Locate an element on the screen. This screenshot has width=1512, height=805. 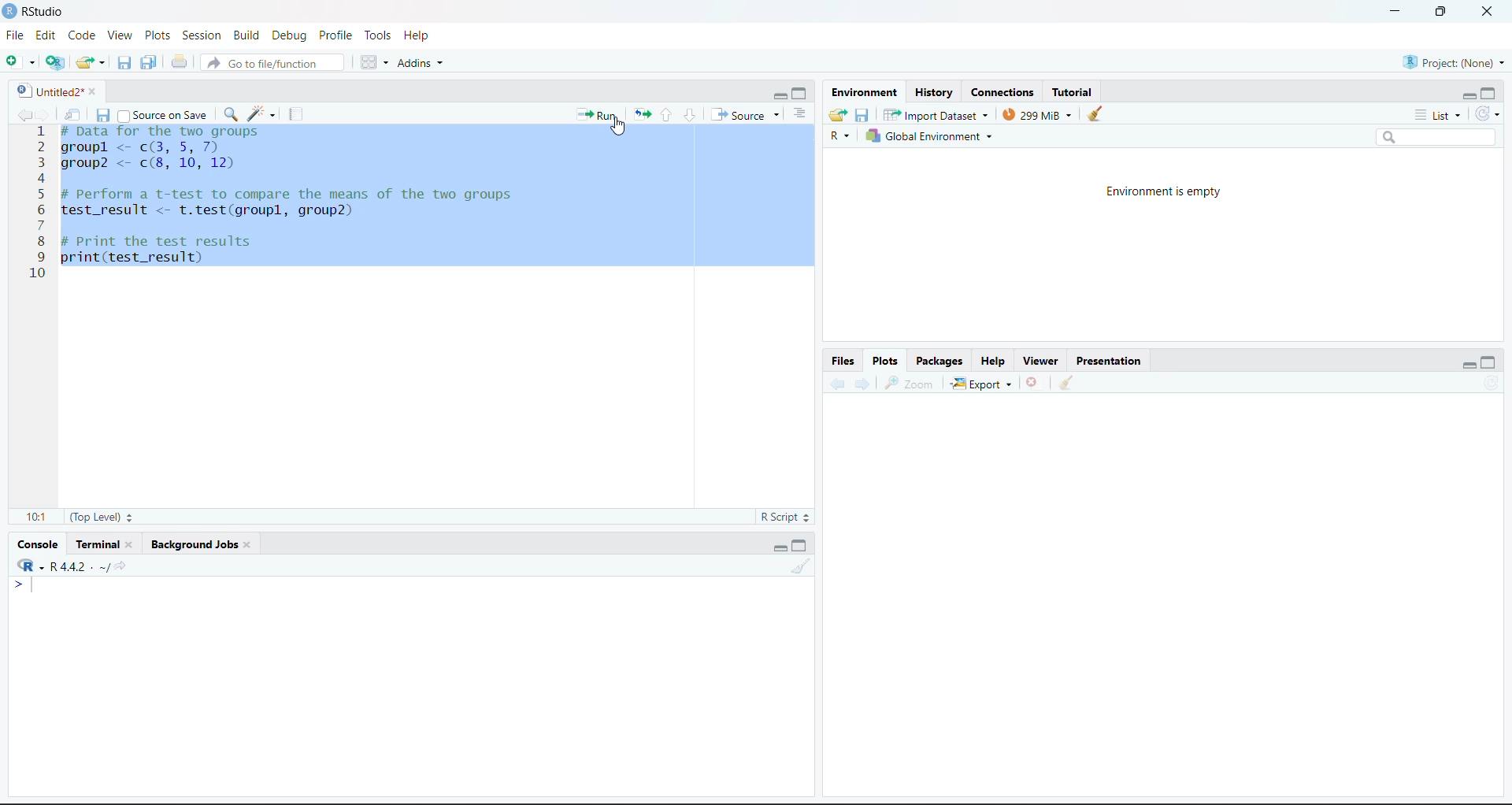
Debug is located at coordinates (290, 35).